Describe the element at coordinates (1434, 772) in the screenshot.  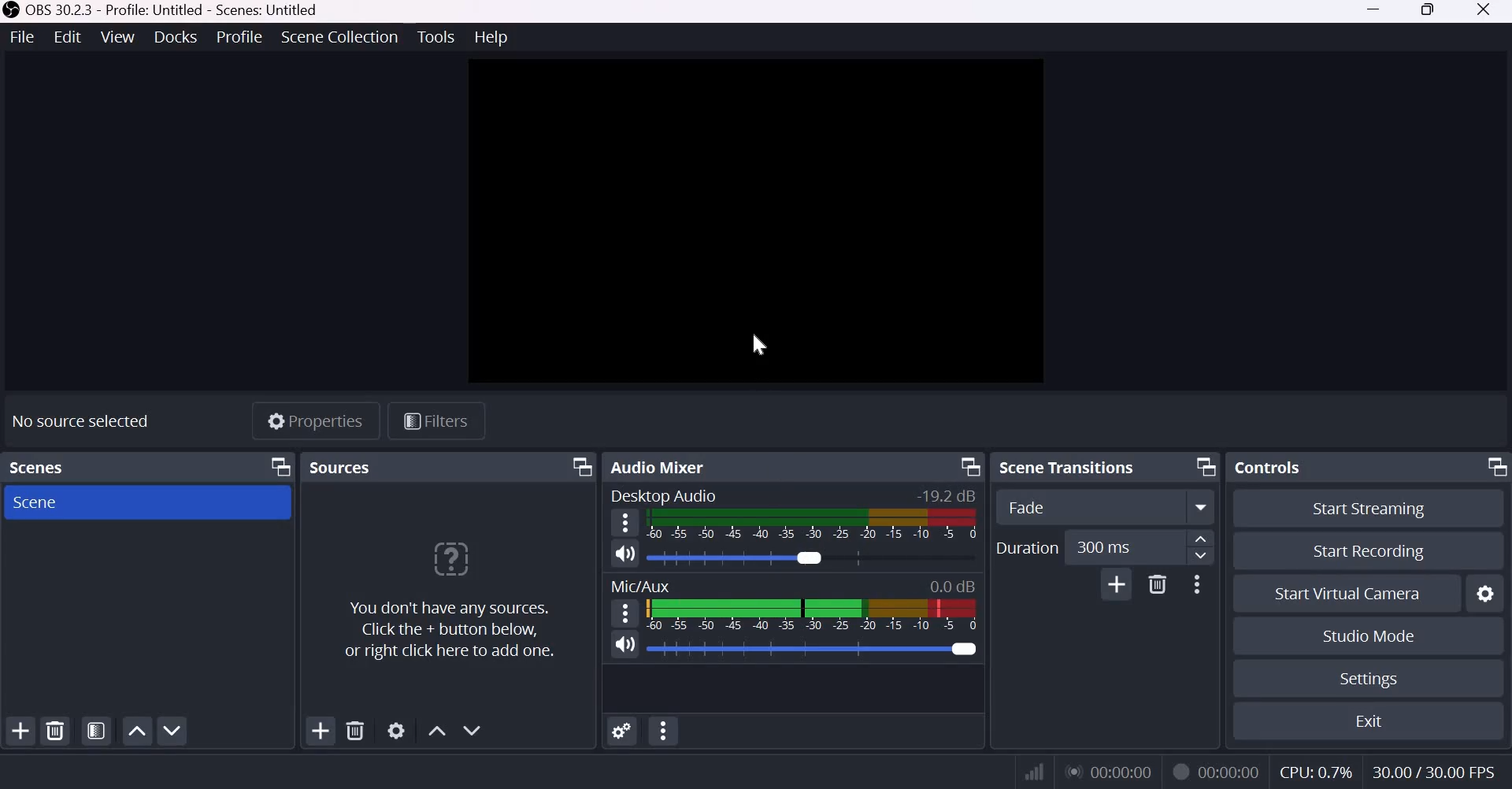
I see `30.00/30.00 FPS` at that location.